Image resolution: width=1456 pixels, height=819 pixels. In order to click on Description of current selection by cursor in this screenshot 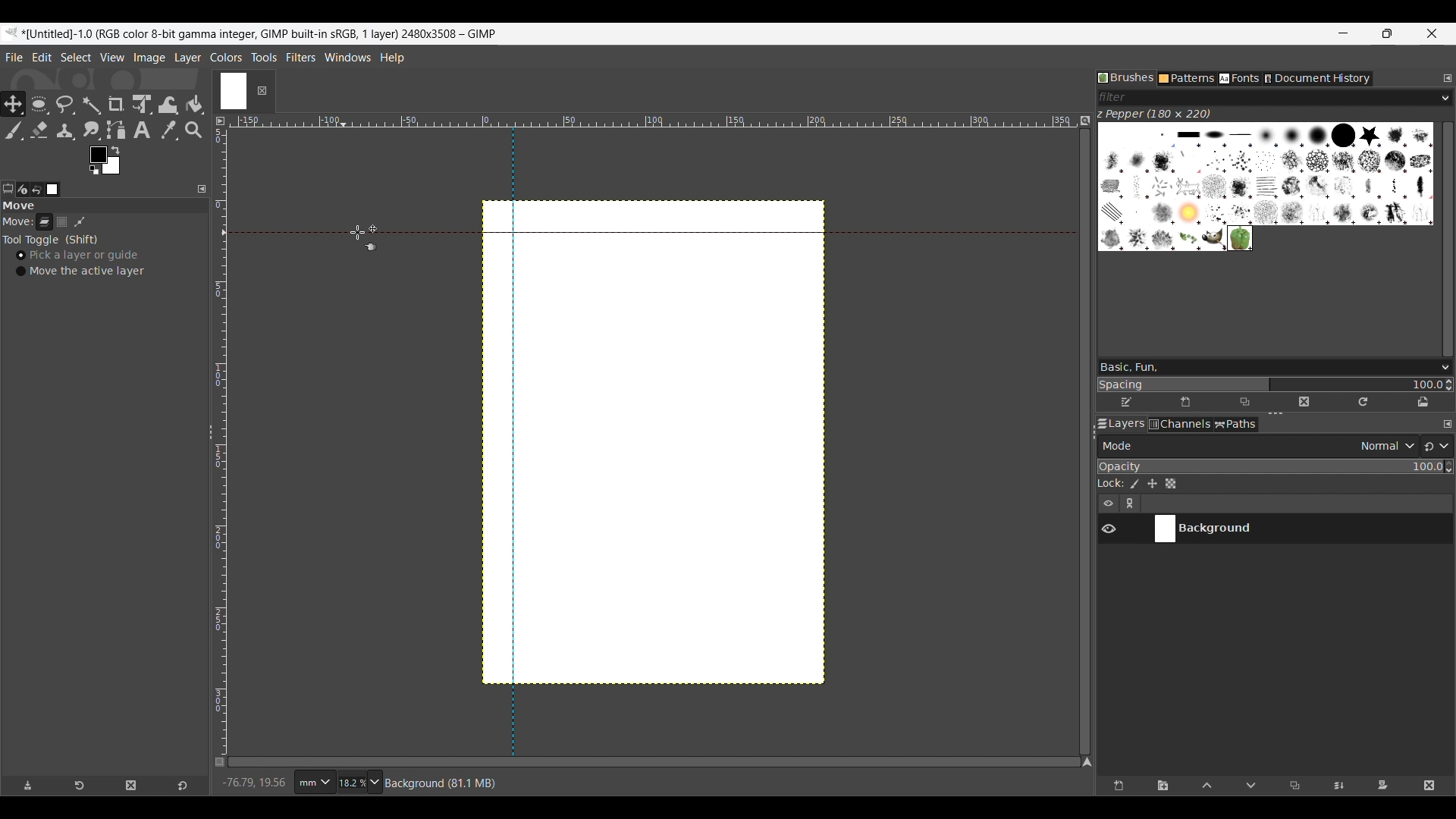, I will do `click(439, 783)`.